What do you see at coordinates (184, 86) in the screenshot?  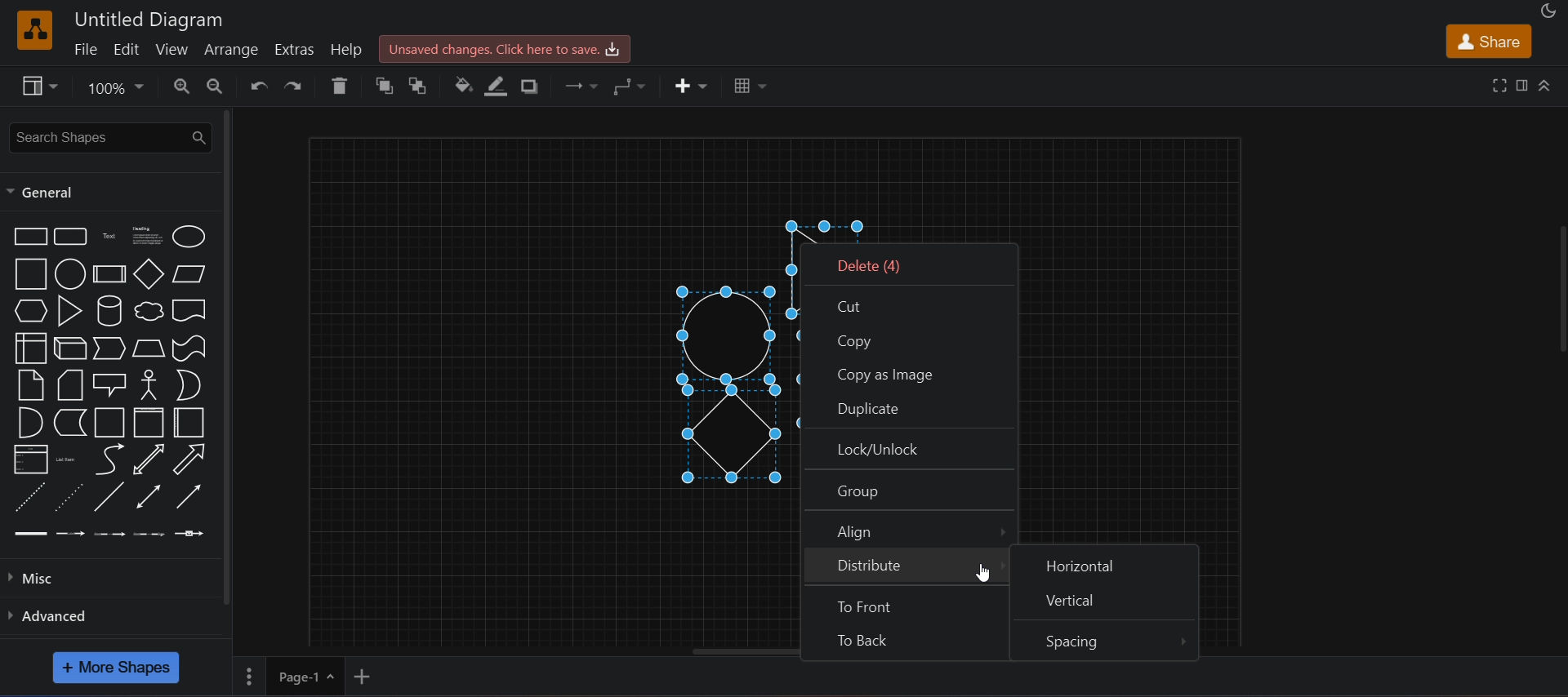 I see `zoom in` at bounding box center [184, 86].